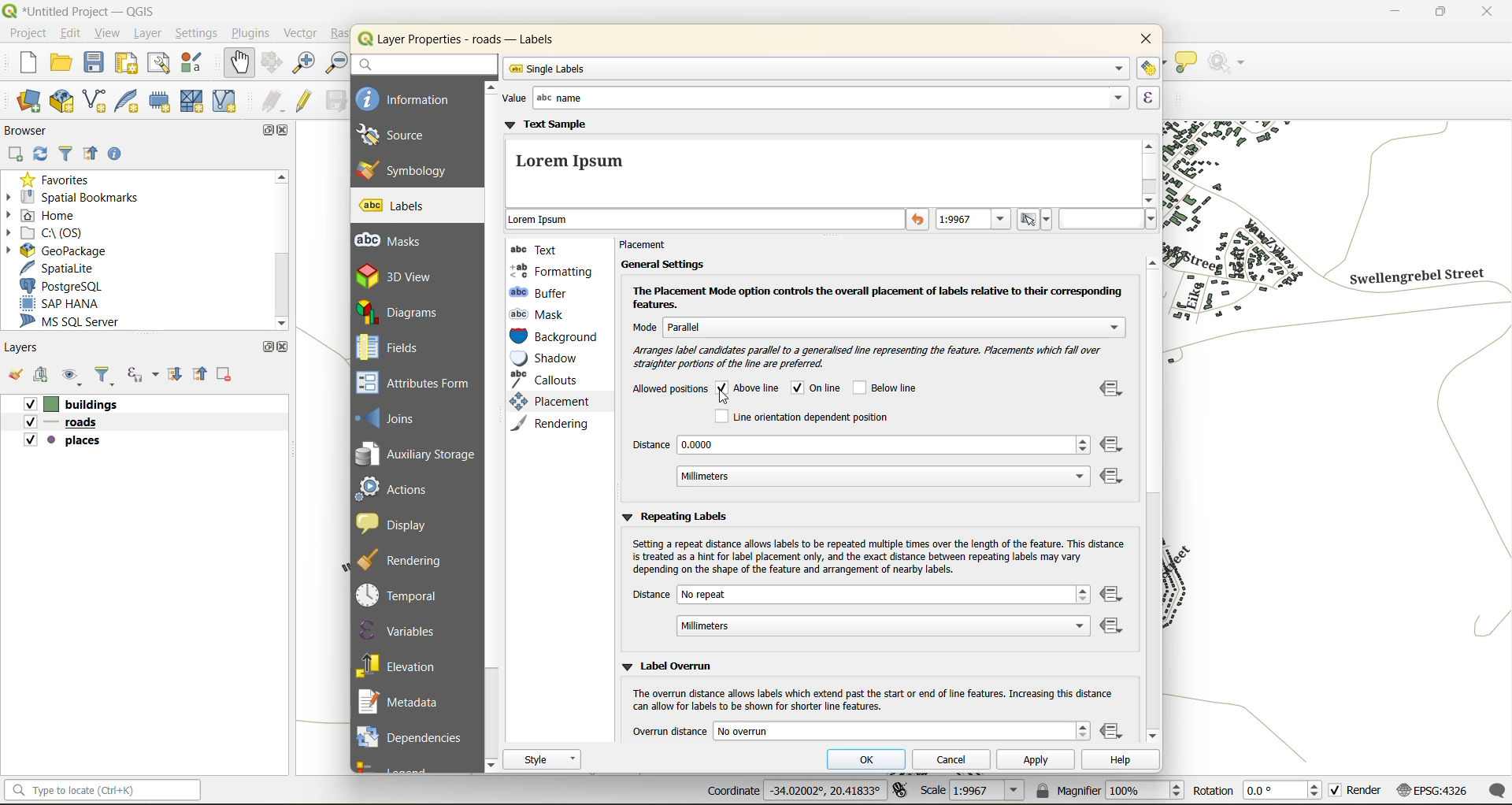  What do you see at coordinates (190, 102) in the screenshot?
I see `new mesh layer` at bounding box center [190, 102].